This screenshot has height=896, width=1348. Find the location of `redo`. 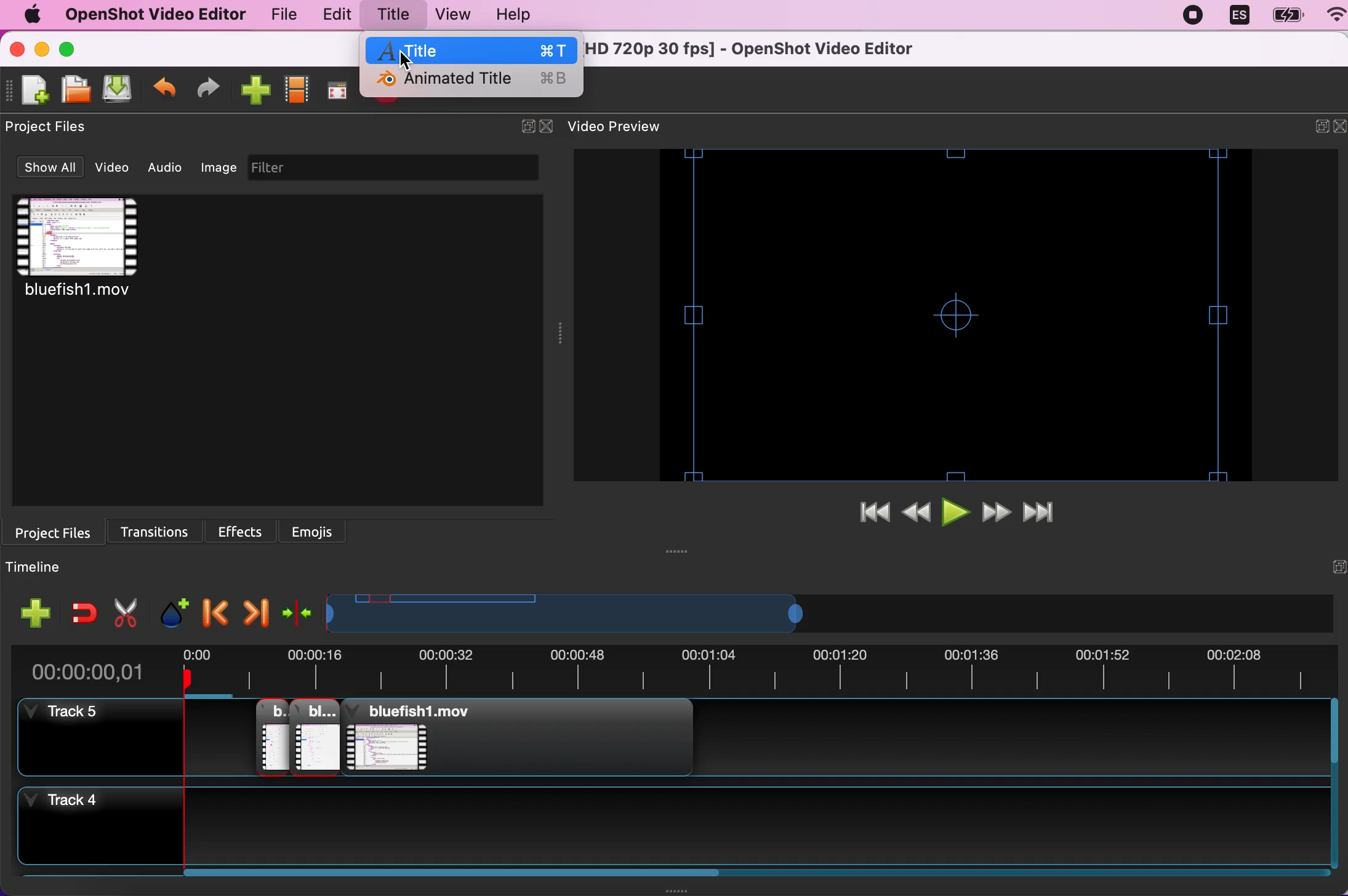

redo is located at coordinates (208, 90).